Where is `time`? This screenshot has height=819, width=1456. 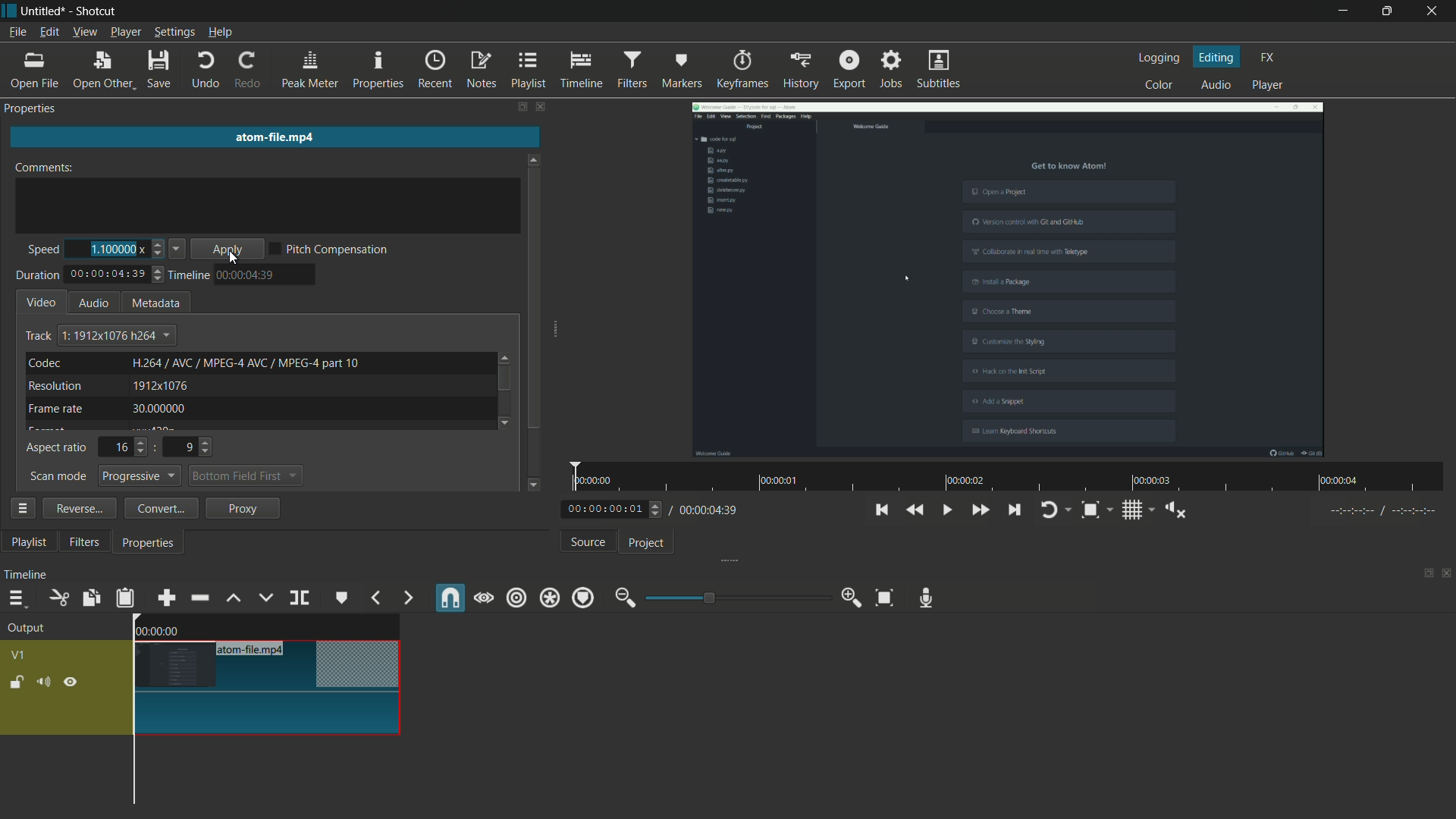 time is located at coordinates (1013, 477).